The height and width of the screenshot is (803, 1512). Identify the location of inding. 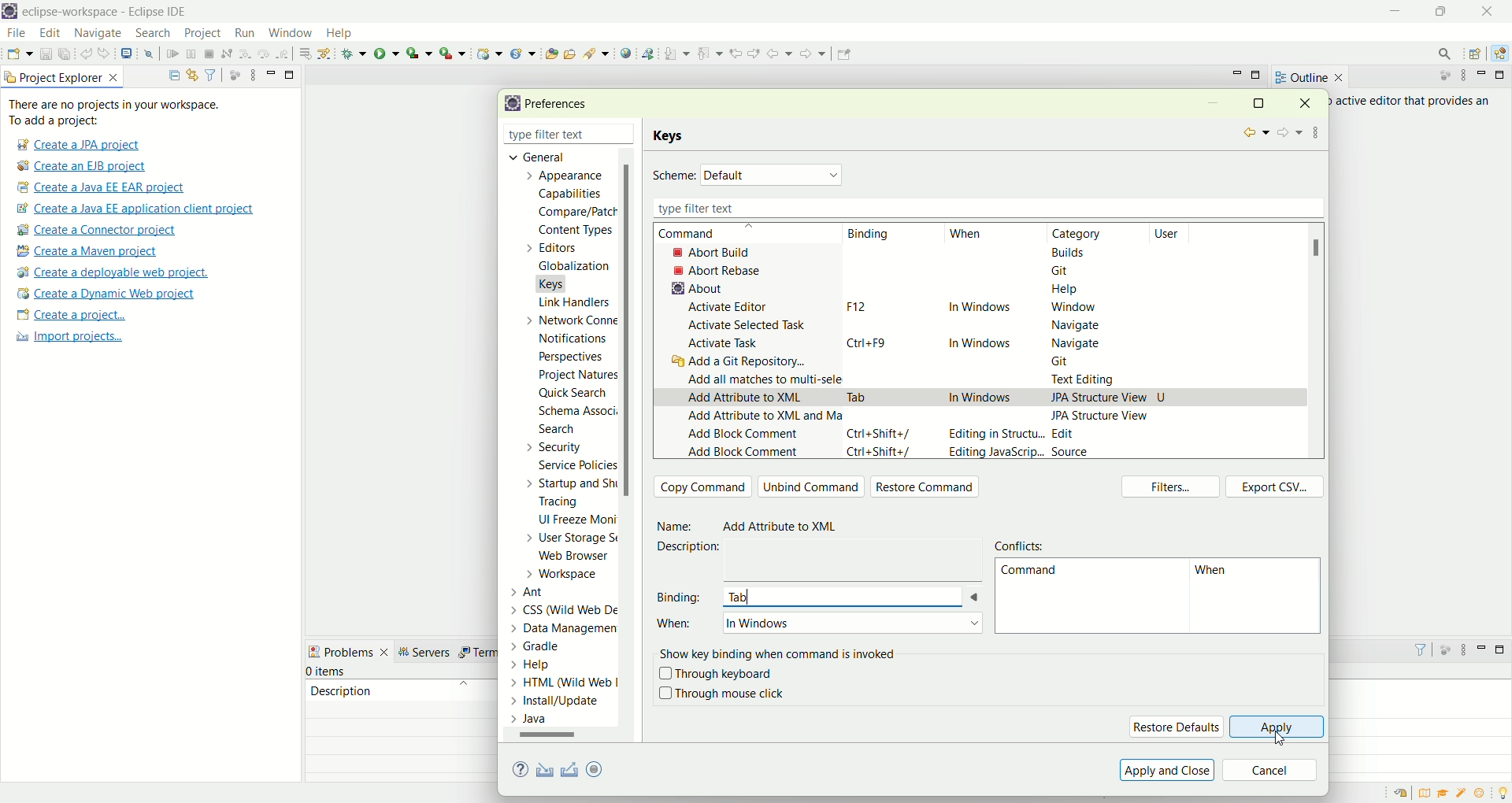
(870, 235).